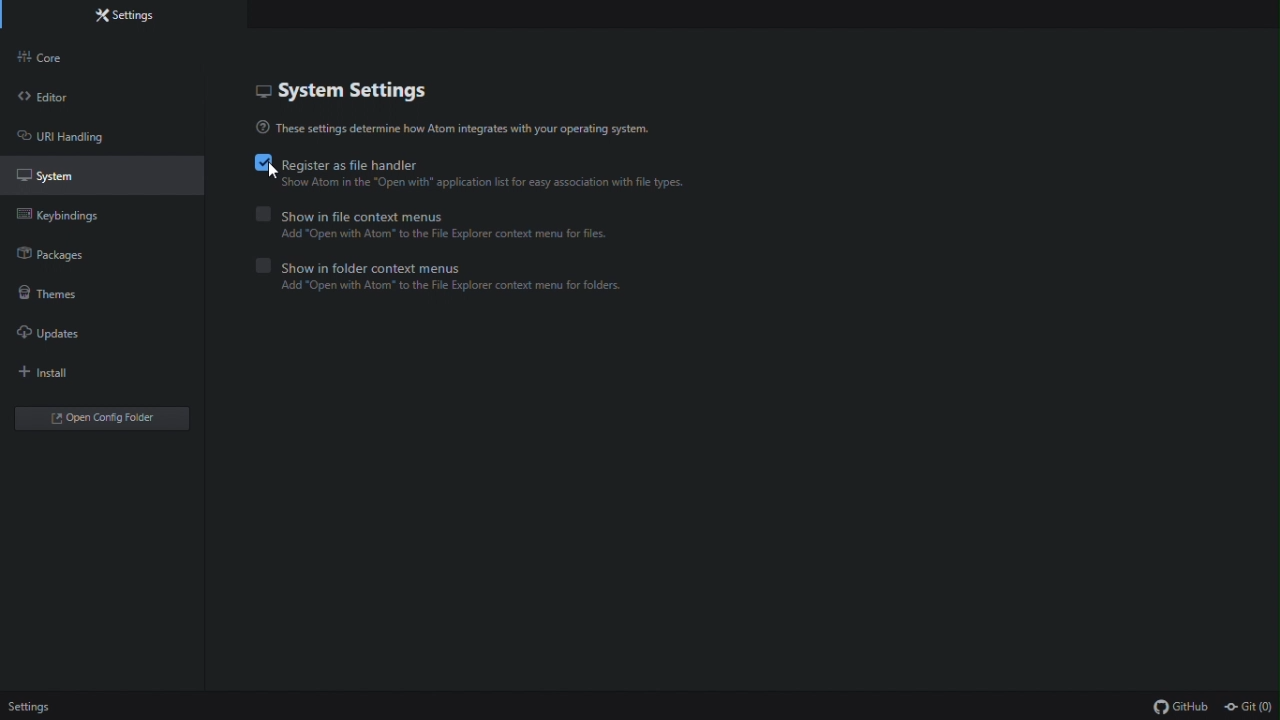 This screenshot has width=1280, height=720. Describe the element at coordinates (71, 181) in the screenshot. I see `System` at that location.